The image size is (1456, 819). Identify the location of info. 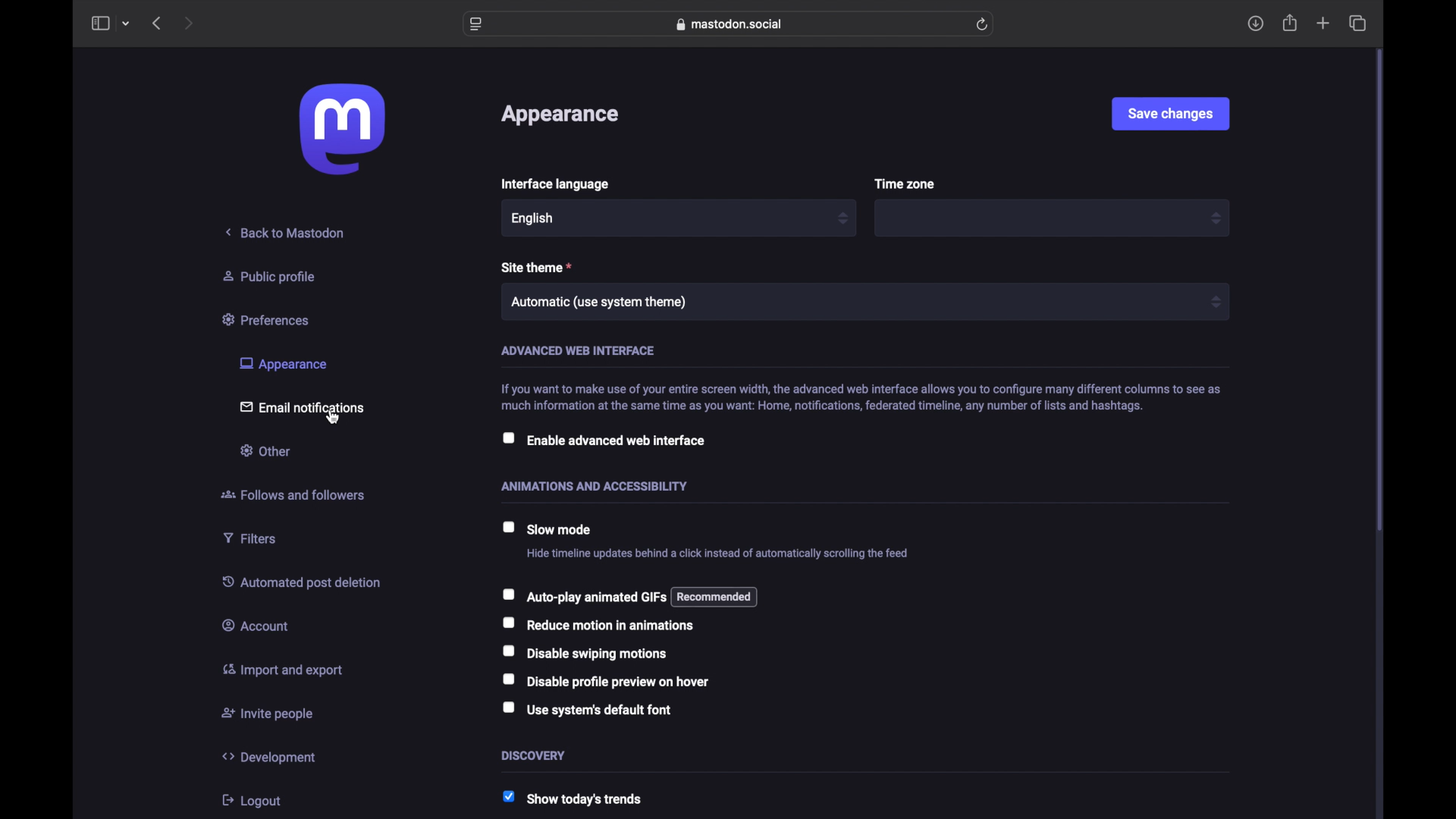
(717, 554).